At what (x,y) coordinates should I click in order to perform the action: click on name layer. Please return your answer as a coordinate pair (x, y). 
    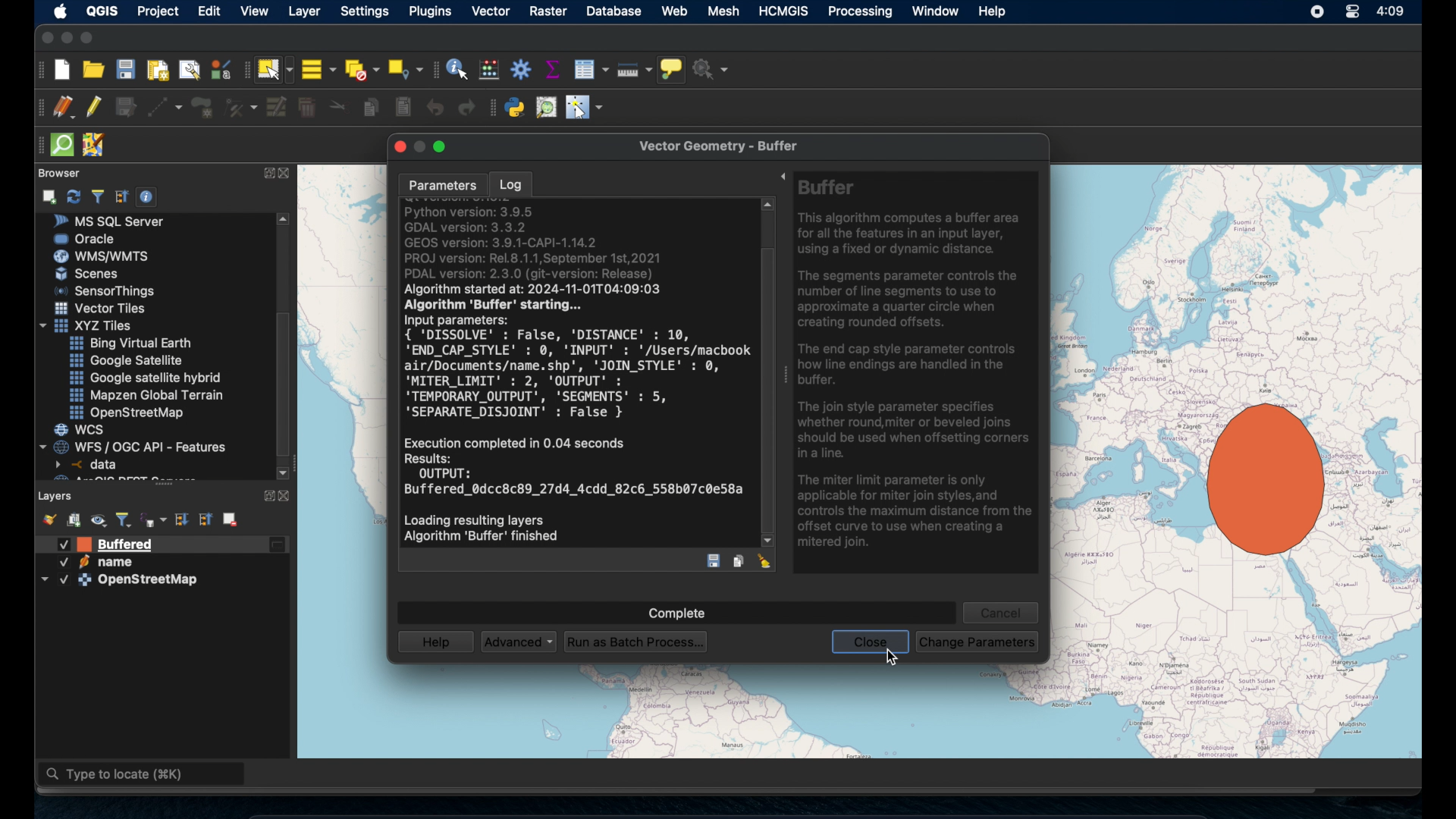
    Looking at the image, I should click on (102, 544).